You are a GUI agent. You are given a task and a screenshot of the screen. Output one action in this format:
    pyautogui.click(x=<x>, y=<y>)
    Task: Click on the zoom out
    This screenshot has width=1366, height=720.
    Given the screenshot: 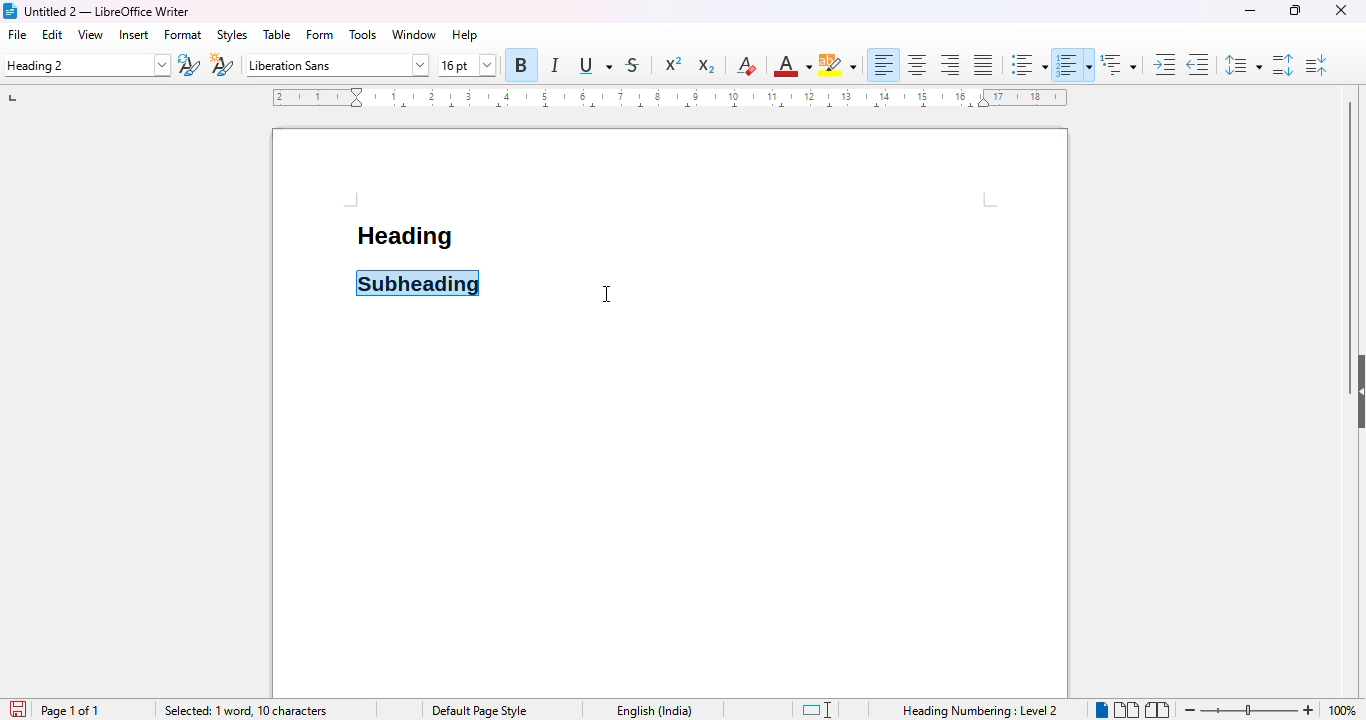 What is the action you would take?
    pyautogui.click(x=1190, y=709)
    